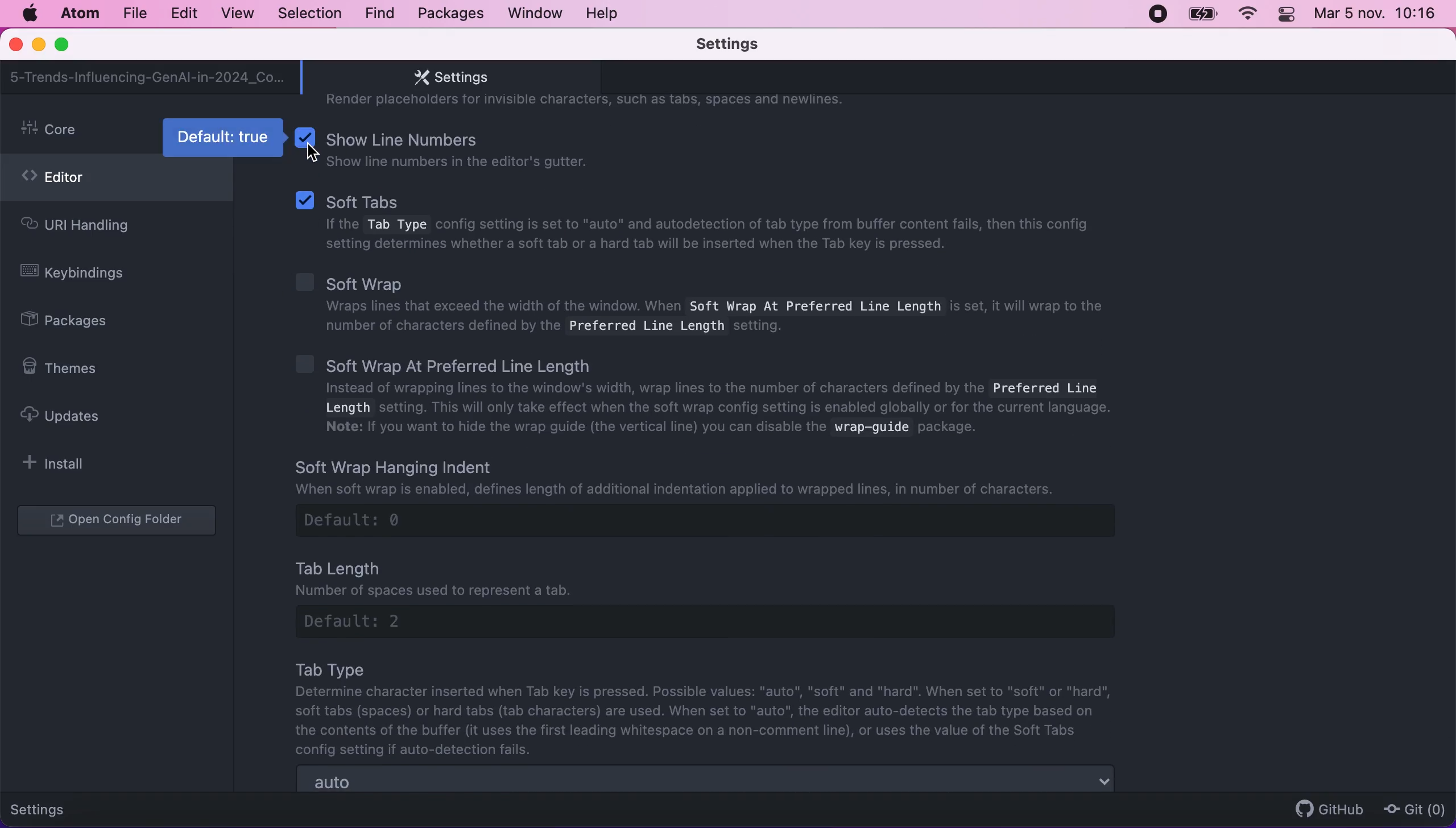 This screenshot has width=1456, height=828. Describe the element at coordinates (134, 14) in the screenshot. I see `file` at that location.